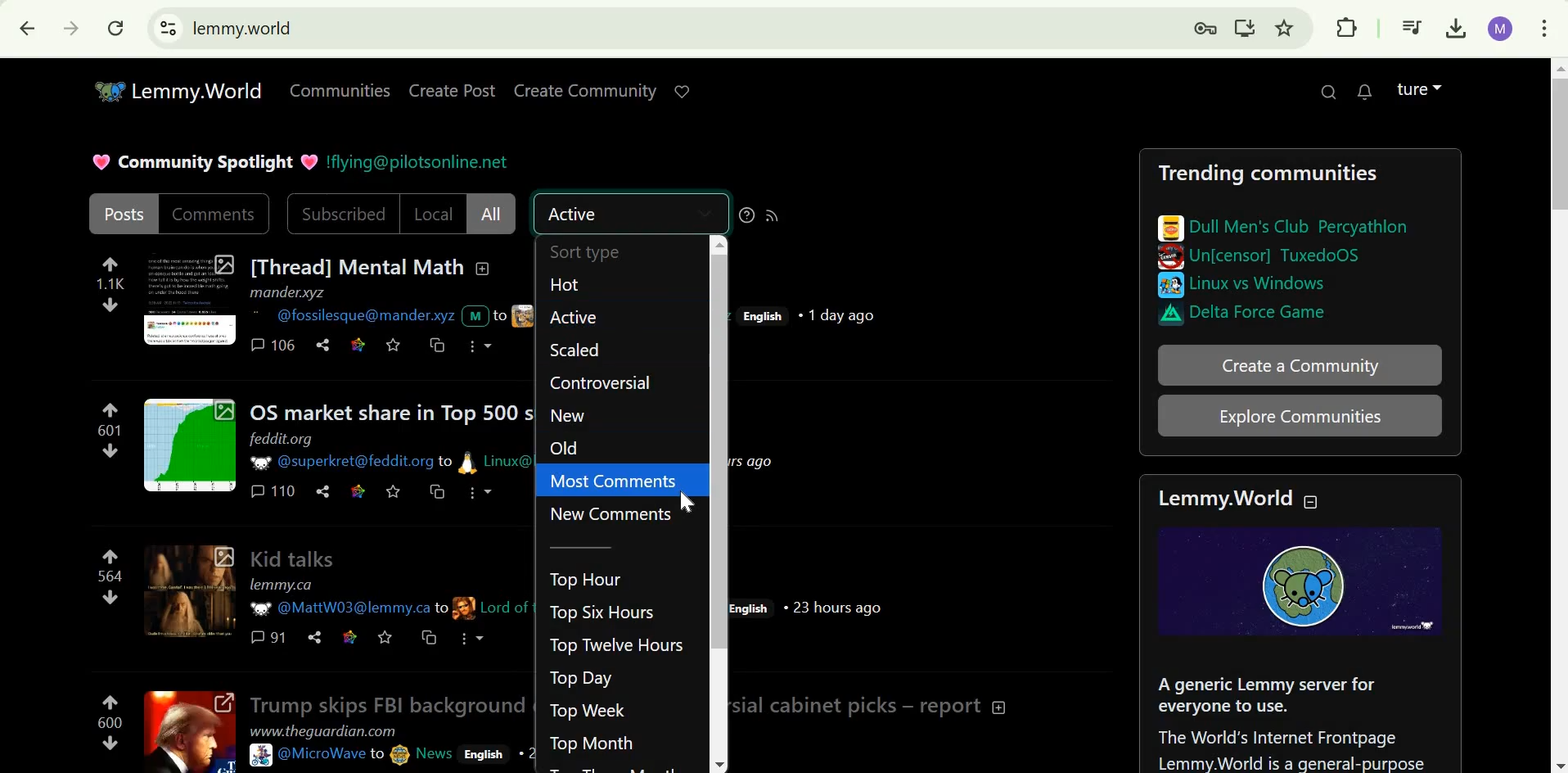 This screenshot has width=1568, height=773. What do you see at coordinates (387, 638) in the screenshot?
I see `Save` at bounding box center [387, 638].